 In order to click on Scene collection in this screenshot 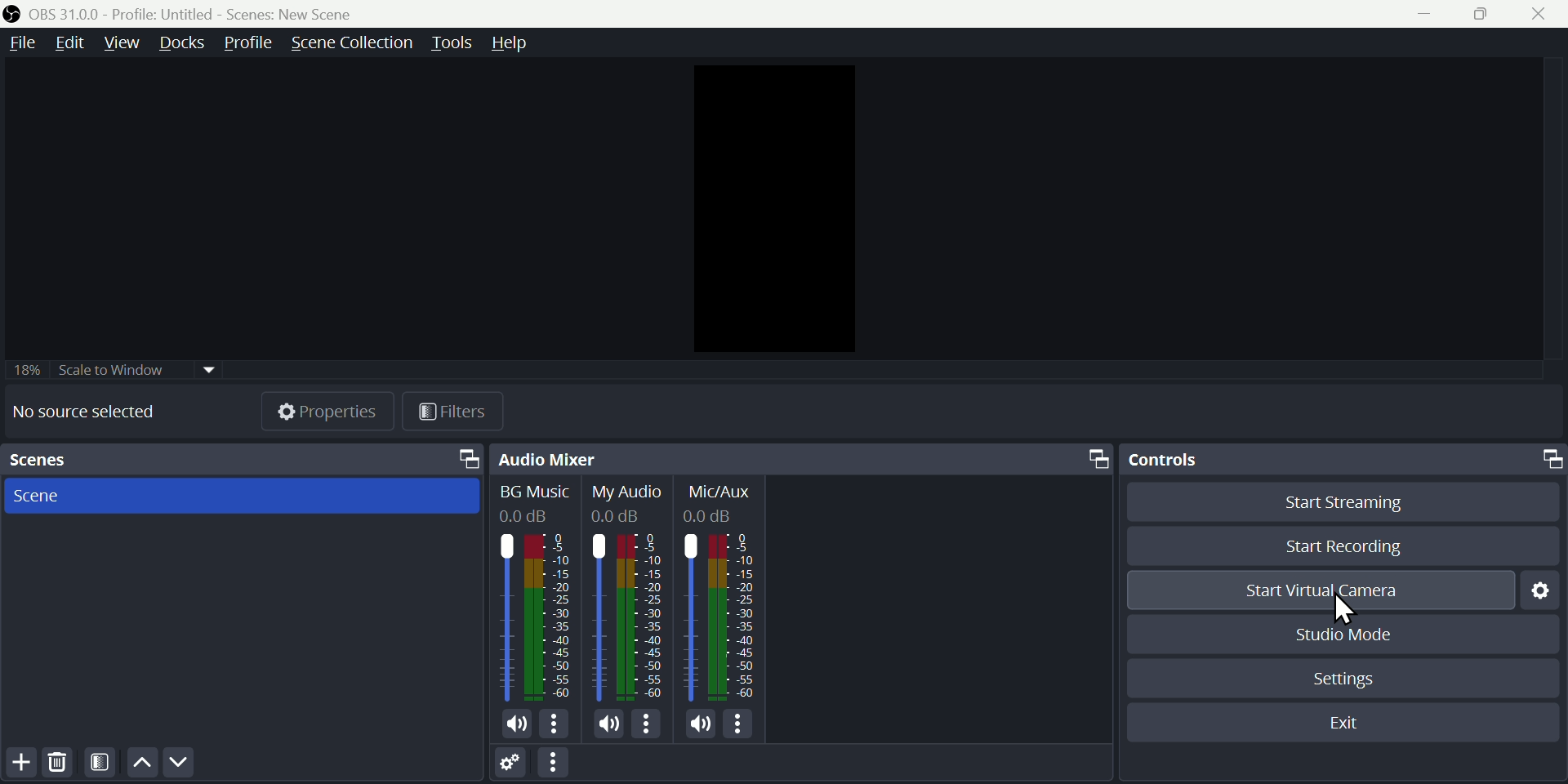, I will do `click(356, 43)`.